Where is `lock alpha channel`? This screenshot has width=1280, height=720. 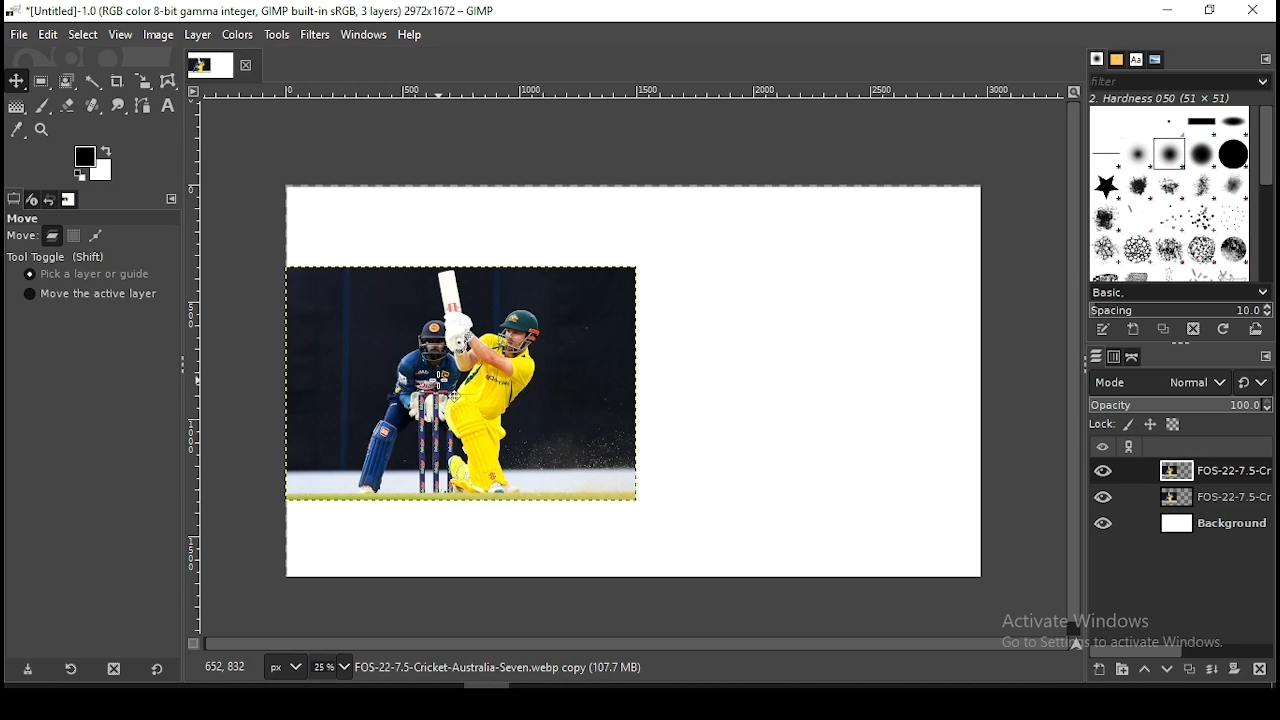
lock alpha channel is located at coordinates (1172, 425).